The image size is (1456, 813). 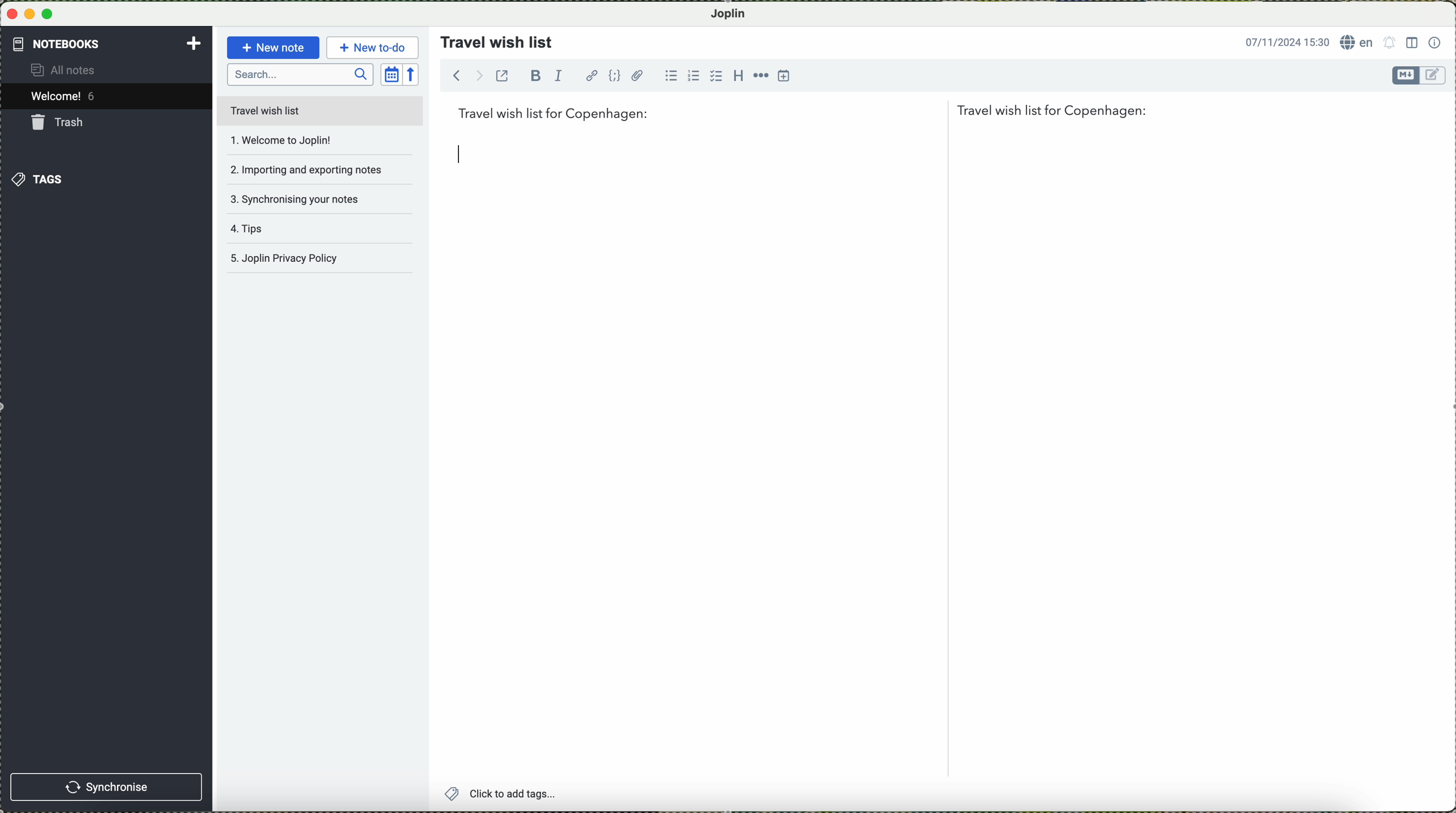 I want to click on bold, so click(x=536, y=75).